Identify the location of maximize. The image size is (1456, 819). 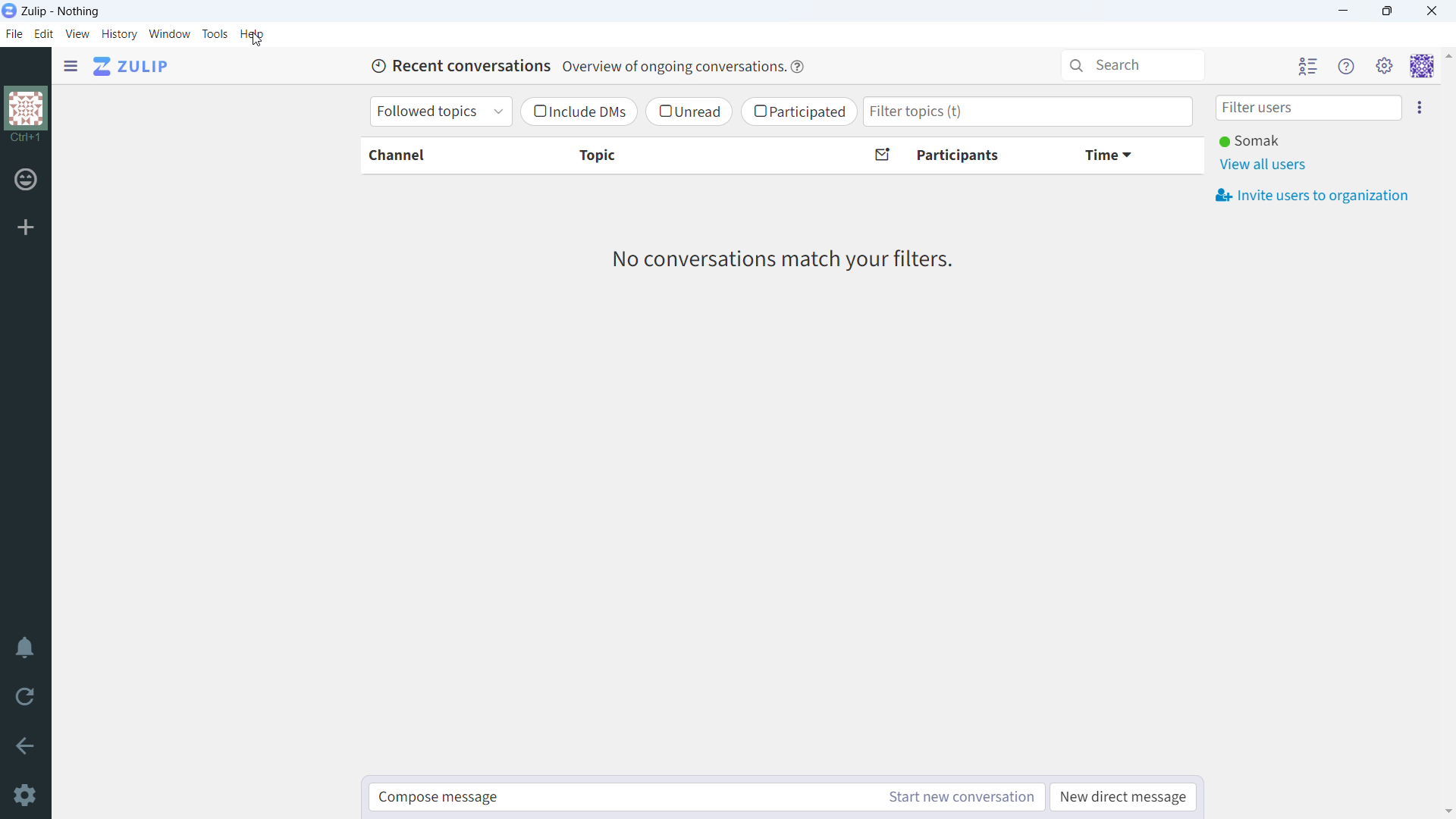
(1386, 11).